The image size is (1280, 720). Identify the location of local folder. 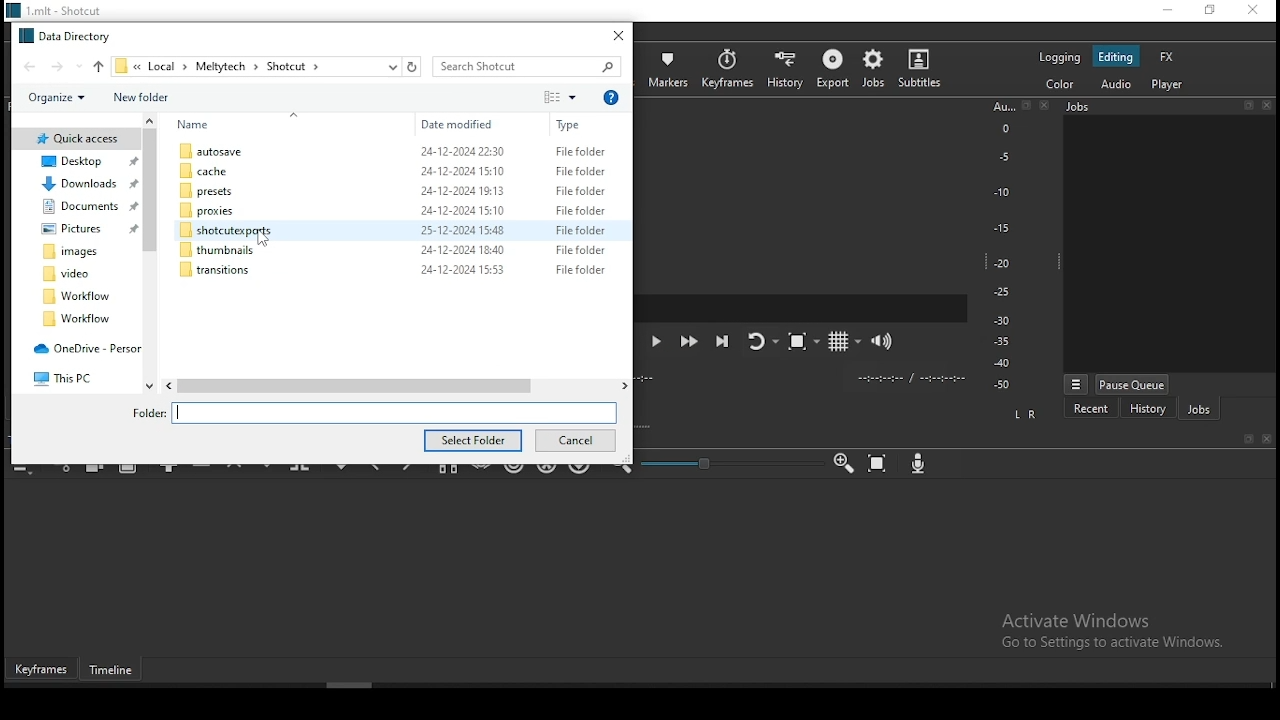
(217, 250).